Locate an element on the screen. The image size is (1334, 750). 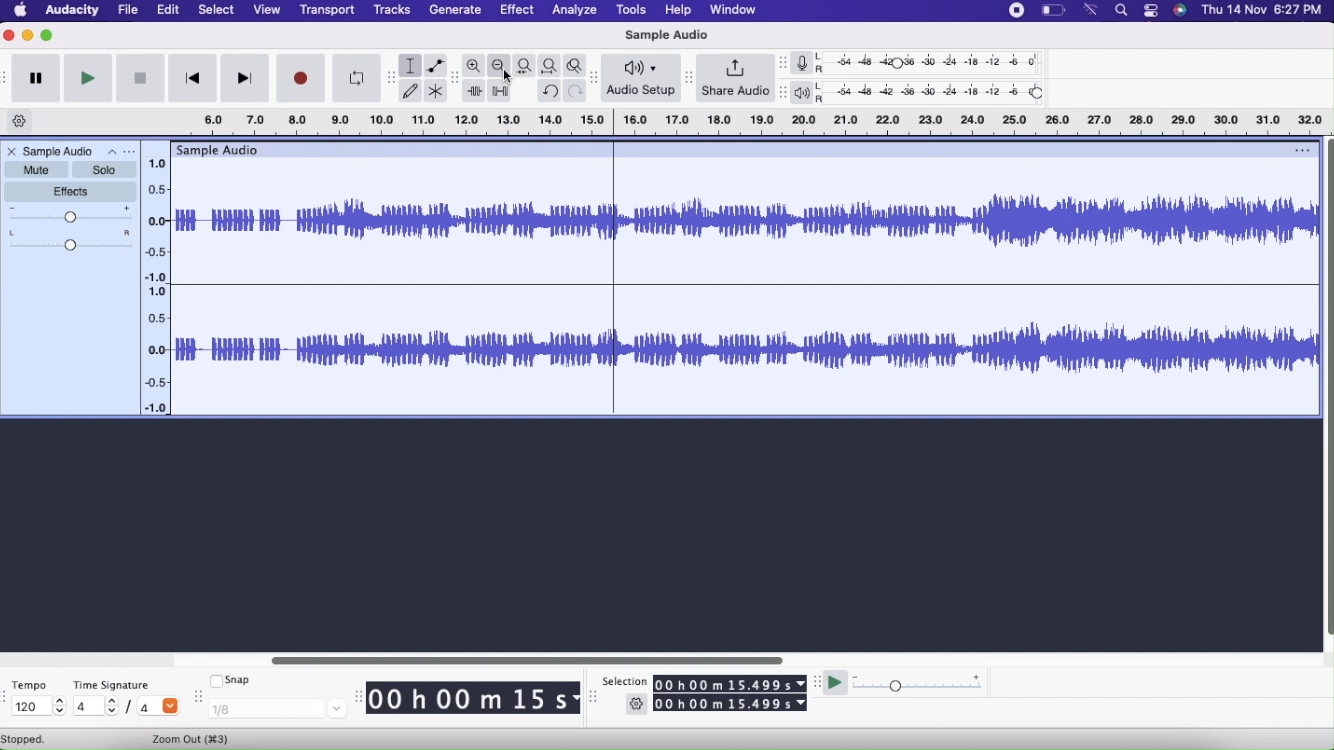
Fit Project to width is located at coordinates (551, 66).